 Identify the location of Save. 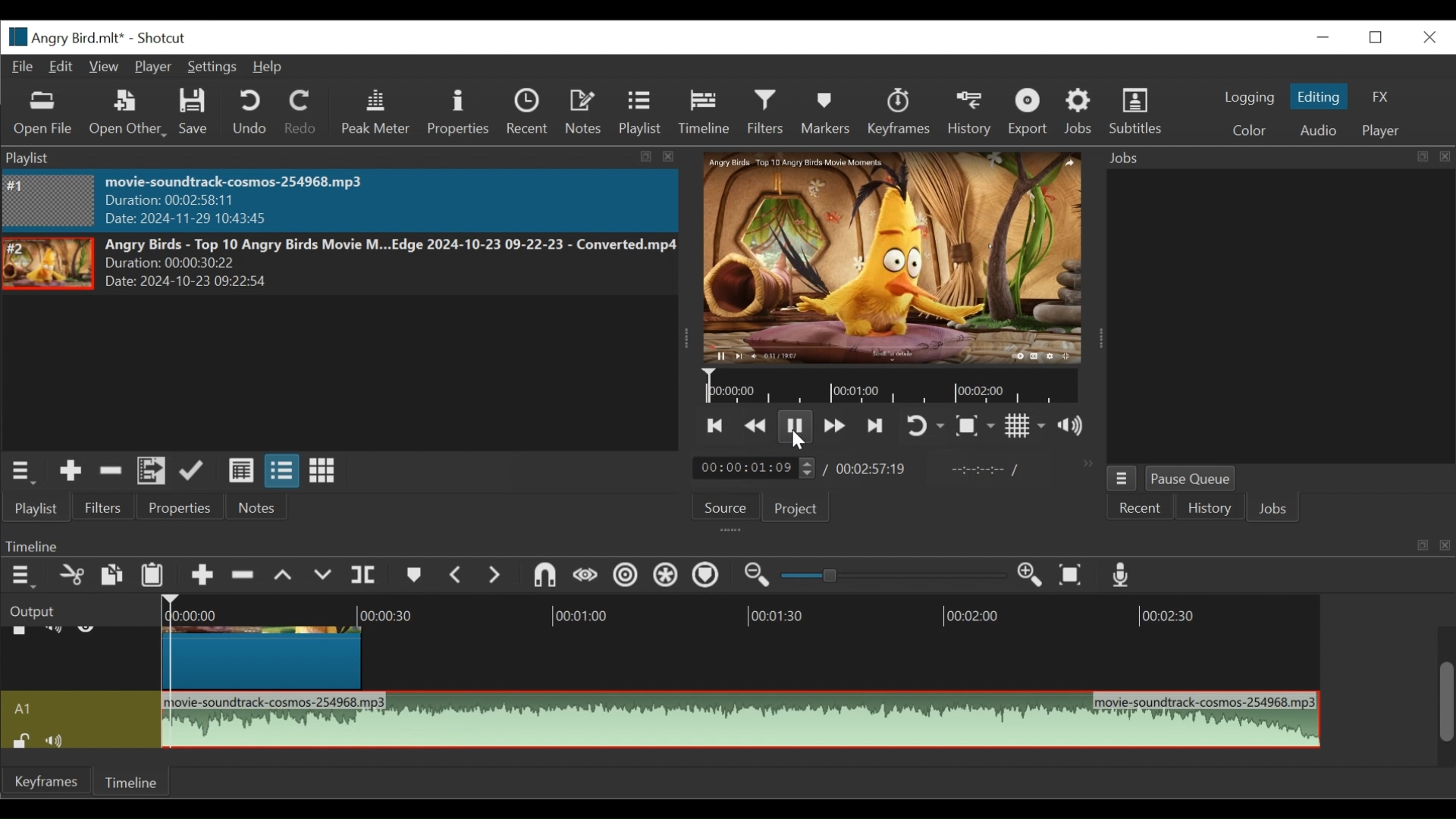
(196, 113).